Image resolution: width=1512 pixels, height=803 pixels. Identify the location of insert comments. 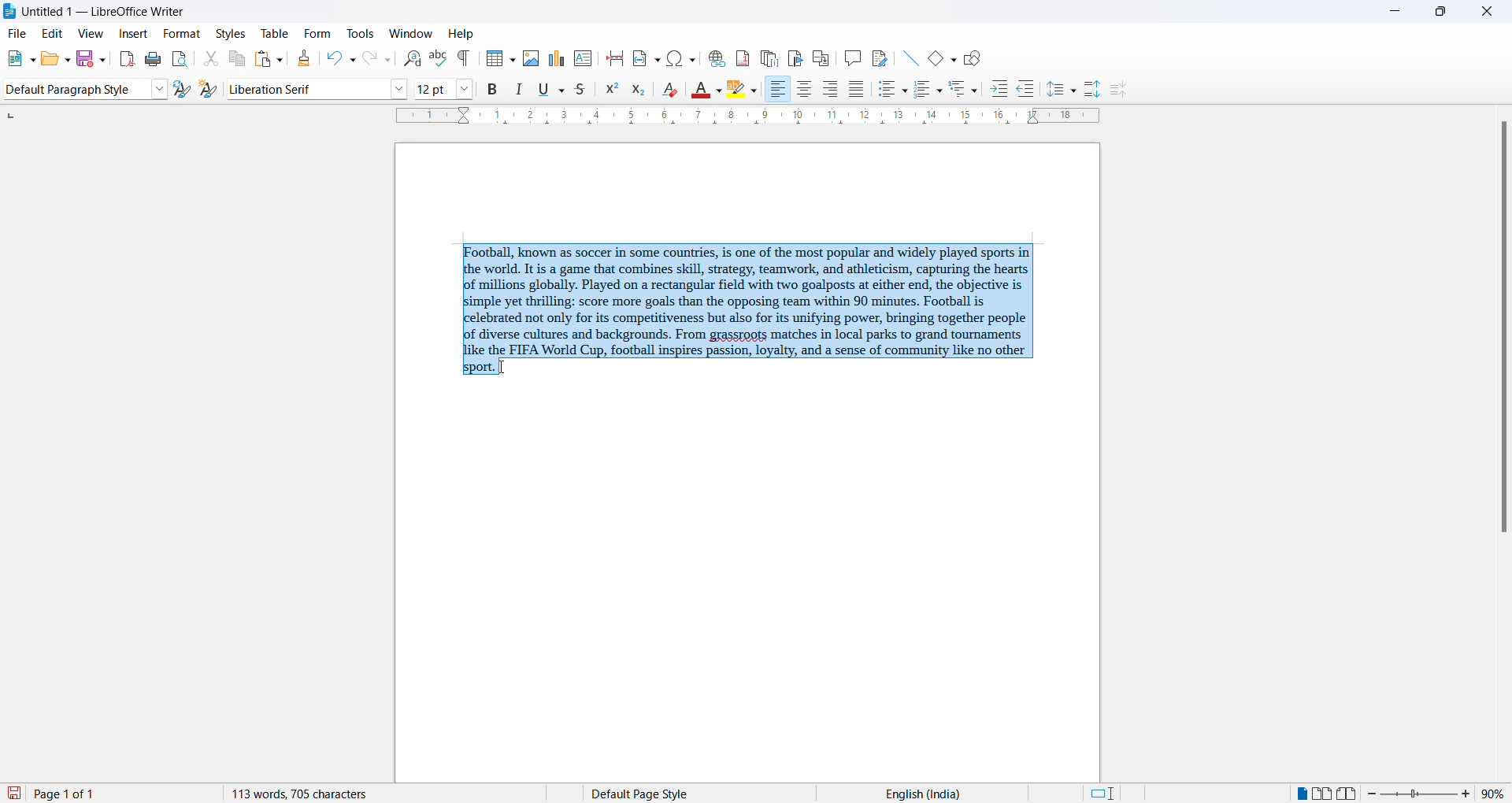
(854, 58).